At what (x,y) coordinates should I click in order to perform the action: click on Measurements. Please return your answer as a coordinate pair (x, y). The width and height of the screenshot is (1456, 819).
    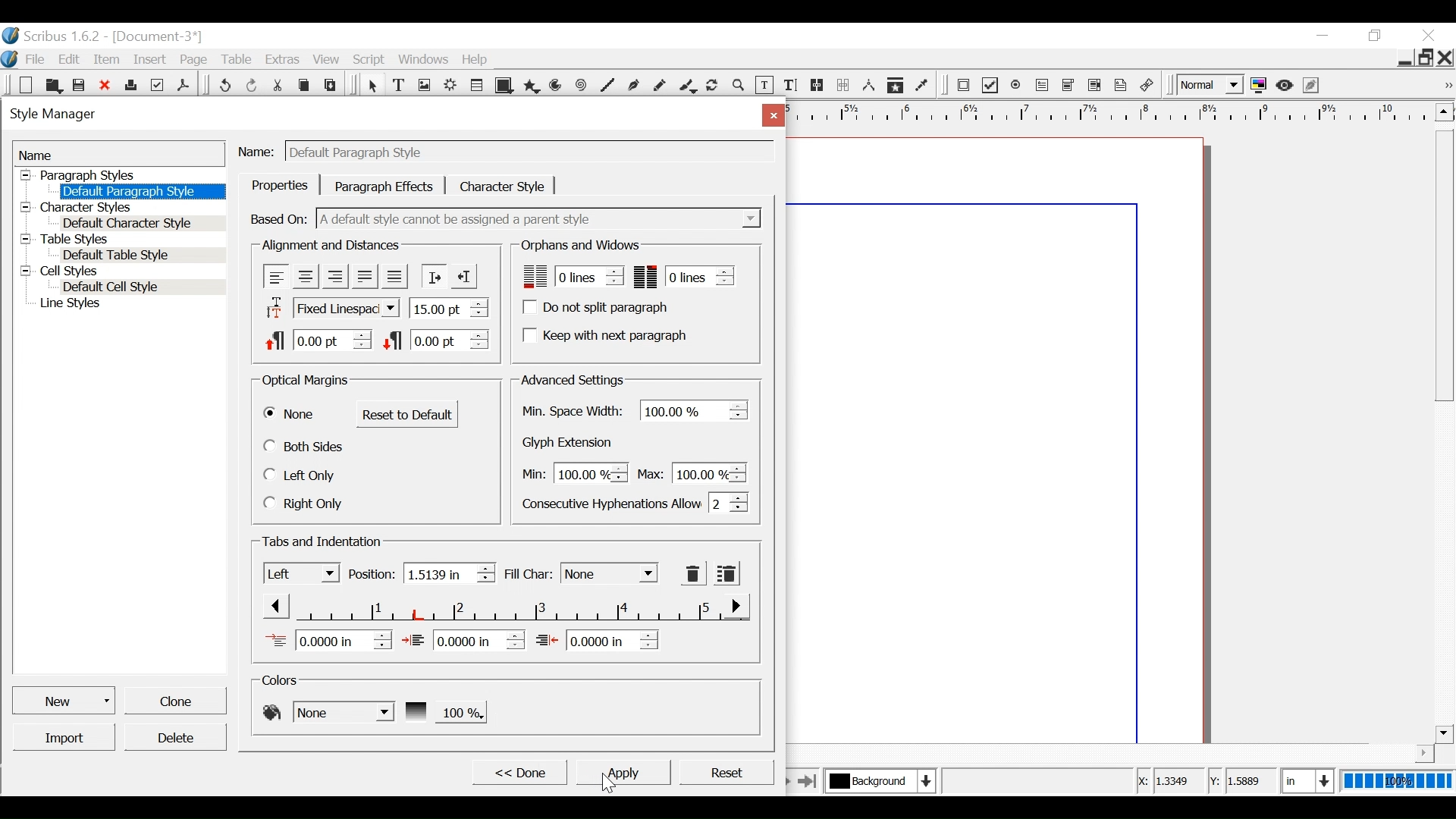
    Looking at the image, I should click on (868, 86).